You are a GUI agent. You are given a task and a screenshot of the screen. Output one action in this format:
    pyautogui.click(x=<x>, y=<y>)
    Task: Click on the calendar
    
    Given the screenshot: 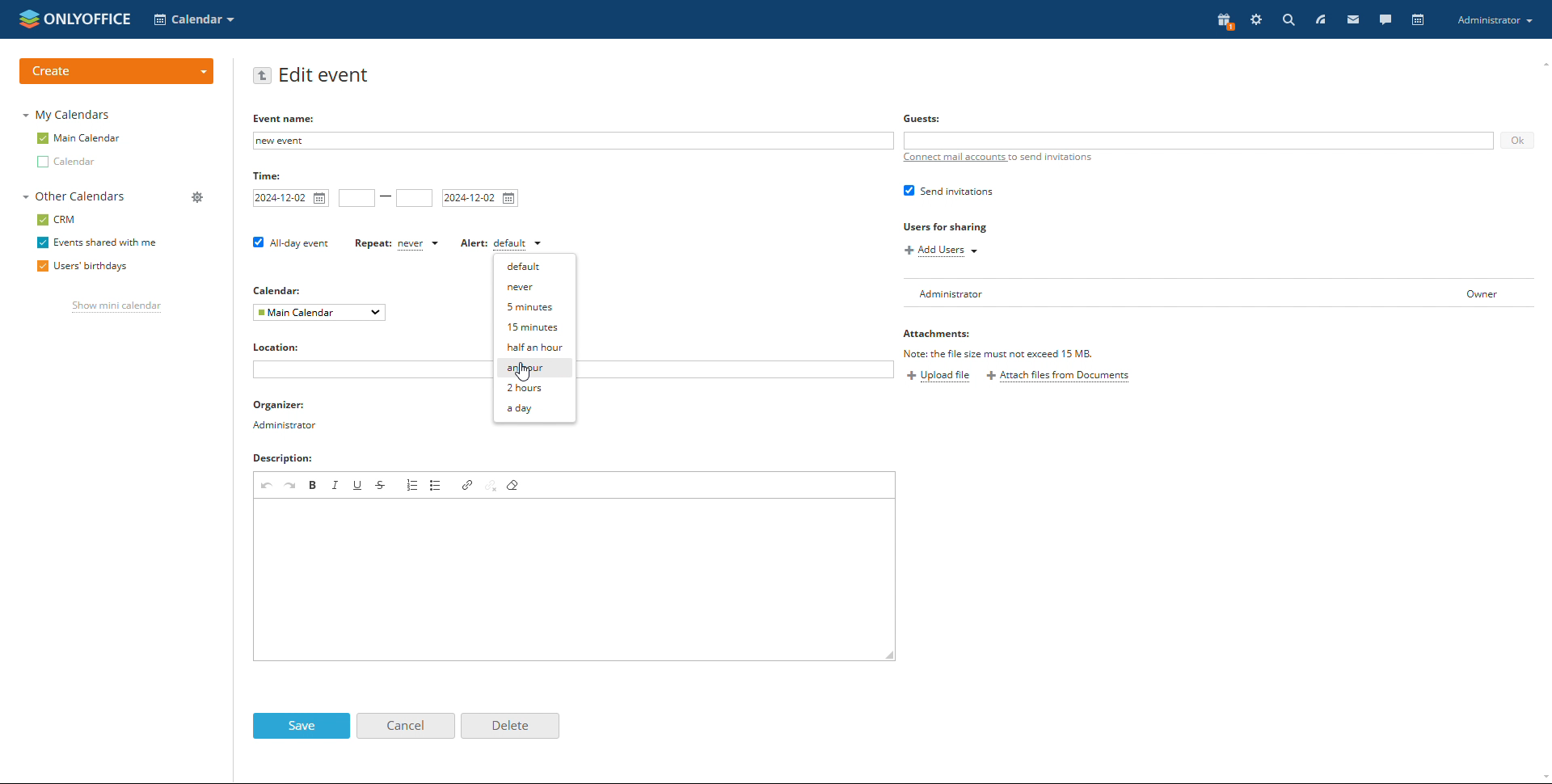 What is the action you would take?
    pyautogui.click(x=1419, y=19)
    